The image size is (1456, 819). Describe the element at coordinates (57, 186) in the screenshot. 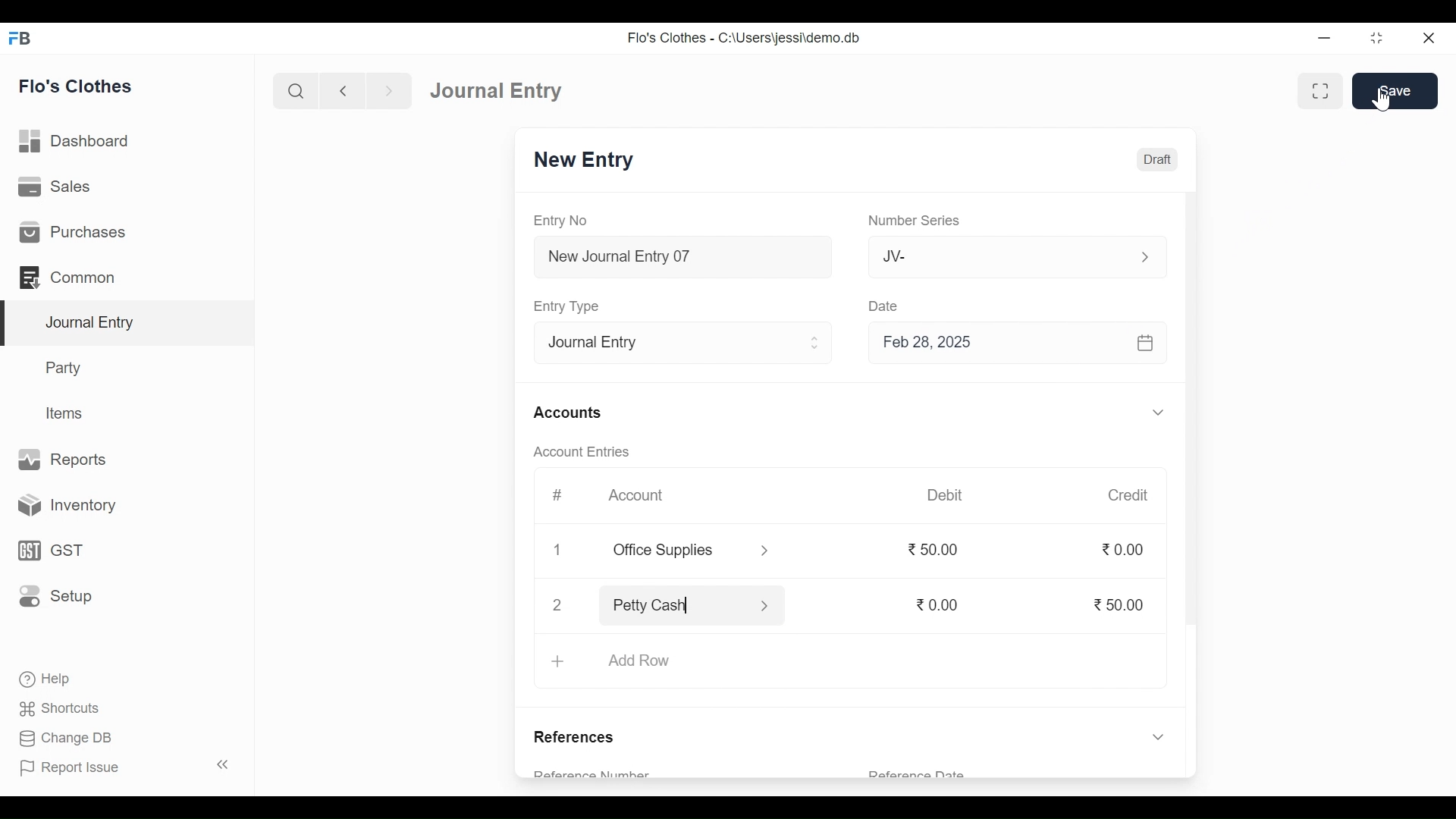

I see `Sales` at that location.